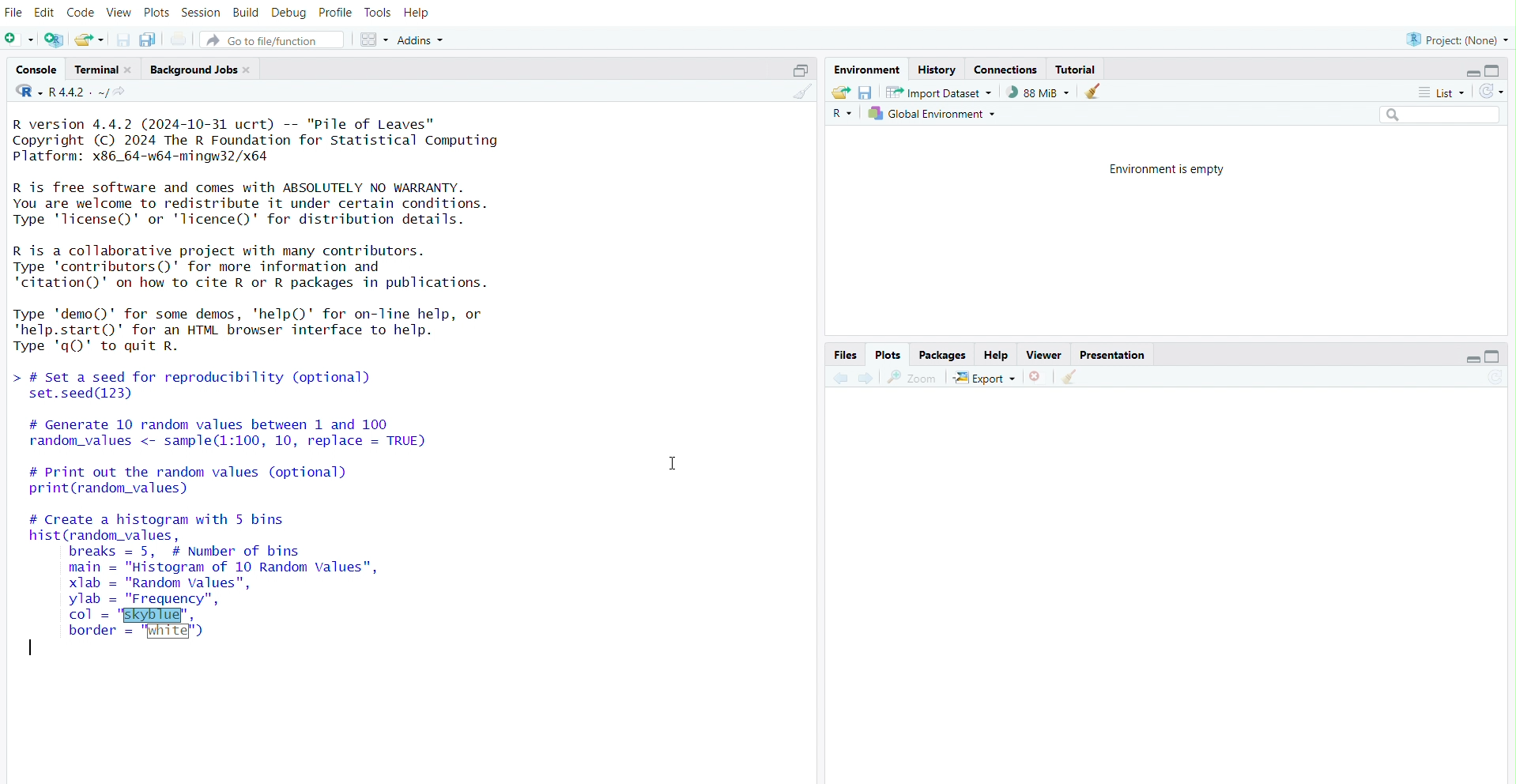 The width and height of the screenshot is (1516, 784). Describe the element at coordinates (54, 40) in the screenshot. I see `create a project` at that location.